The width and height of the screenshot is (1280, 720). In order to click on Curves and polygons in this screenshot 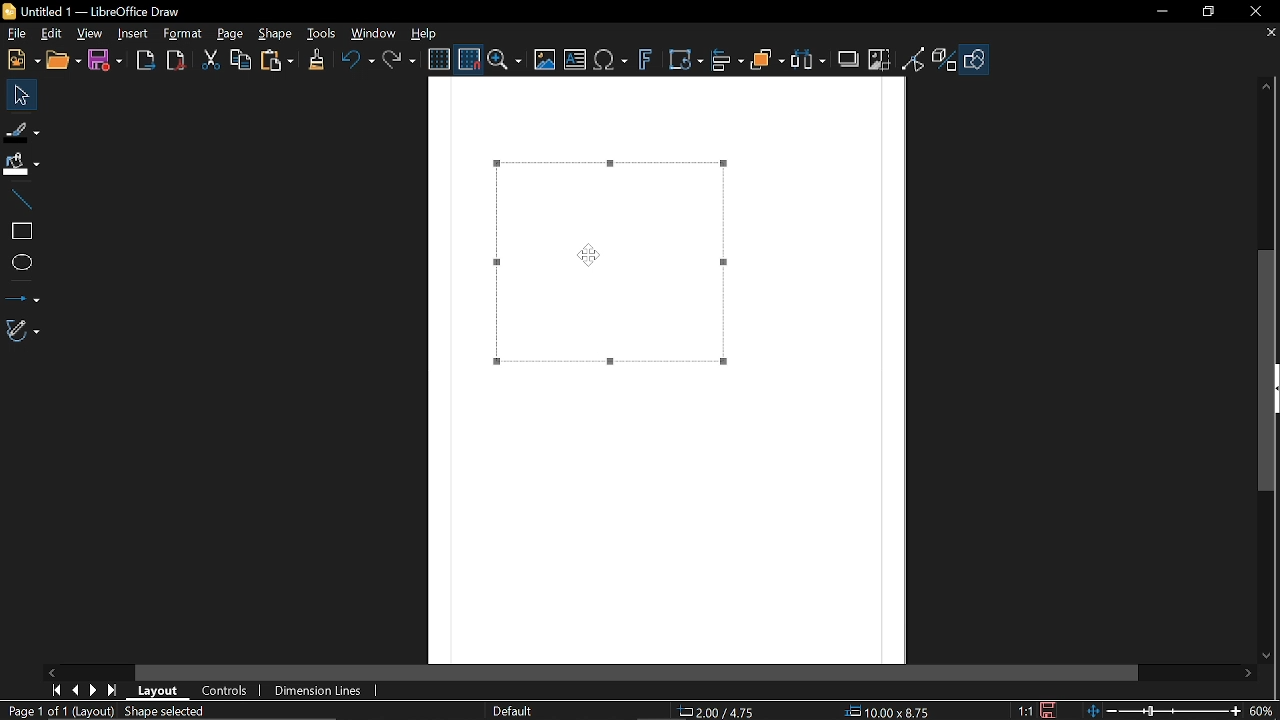, I will do `click(23, 331)`.